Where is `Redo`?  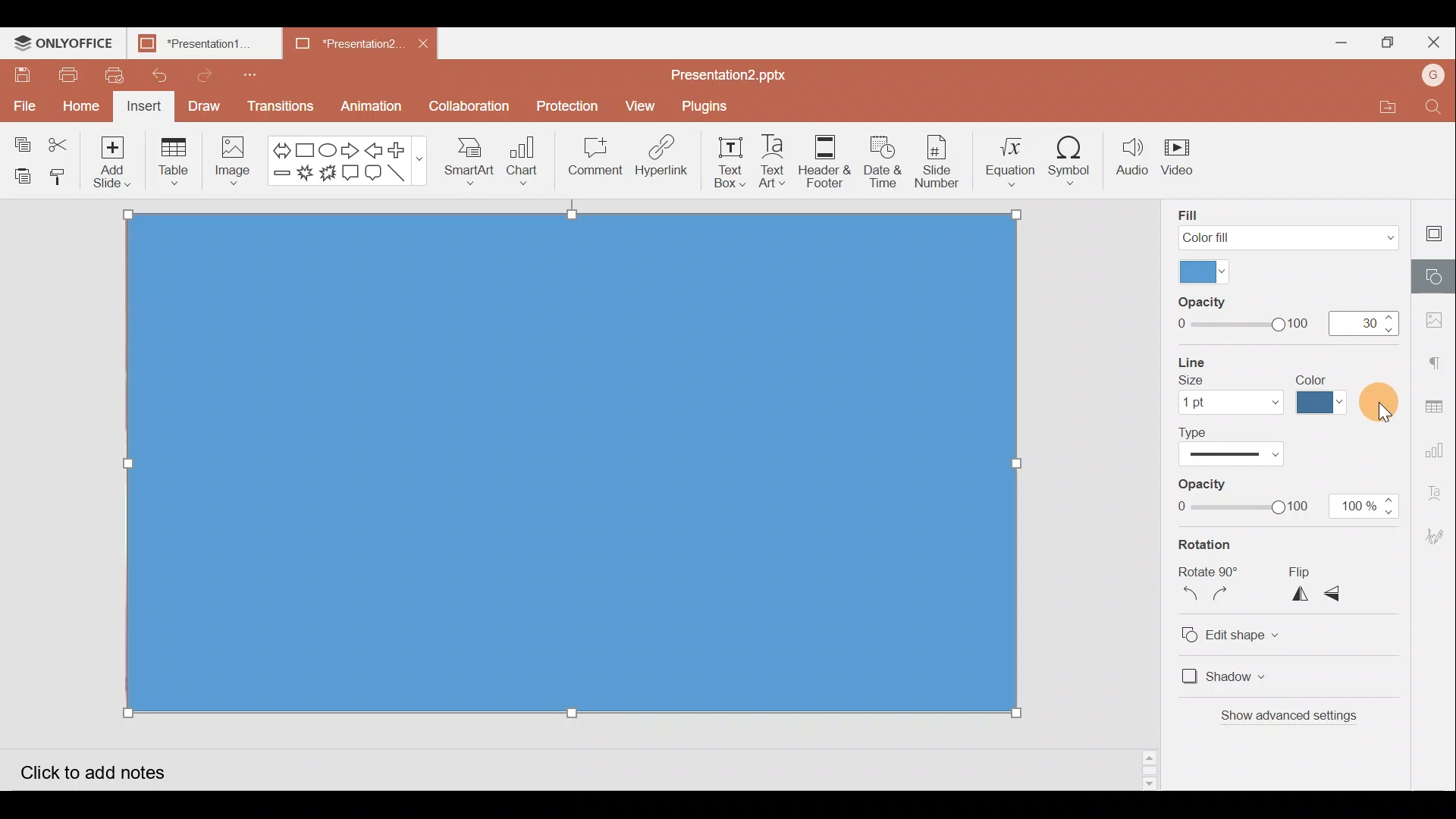 Redo is located at coordinates (208, 75).